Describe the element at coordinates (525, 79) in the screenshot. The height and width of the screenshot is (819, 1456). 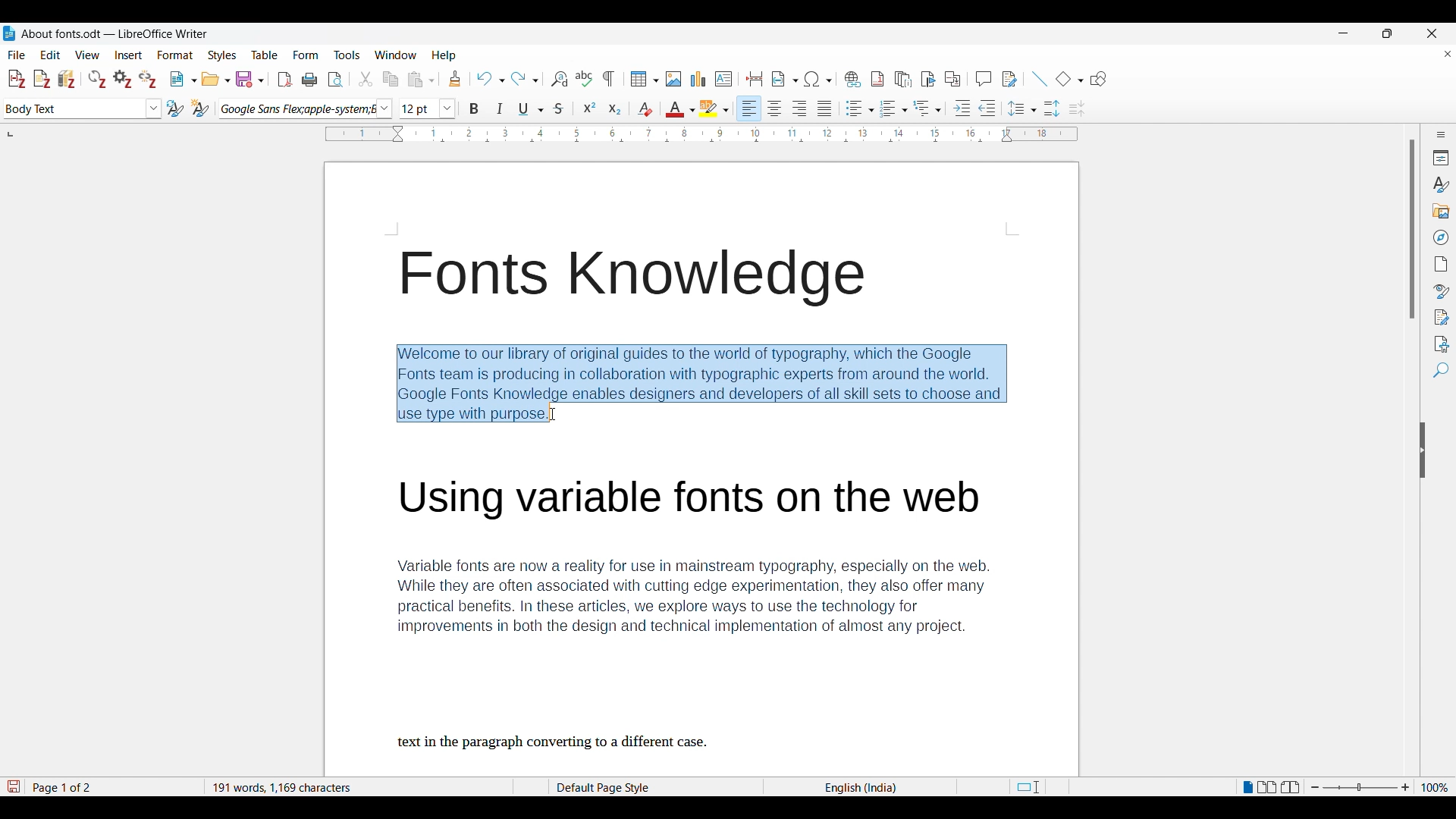
I see `Redo` at that location.